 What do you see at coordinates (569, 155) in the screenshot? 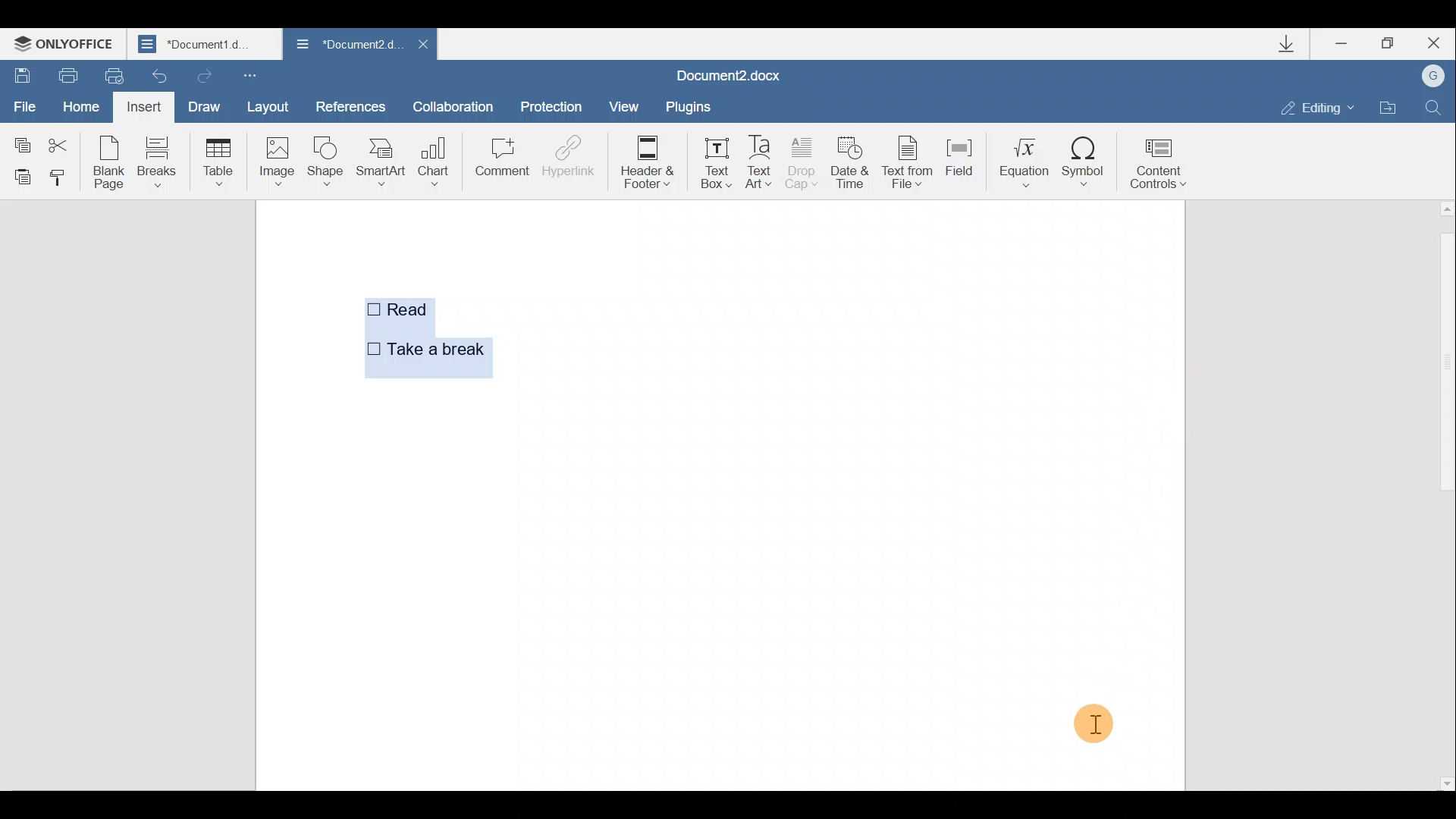
I see `Hyperlink` at bounding box center [569, 155].